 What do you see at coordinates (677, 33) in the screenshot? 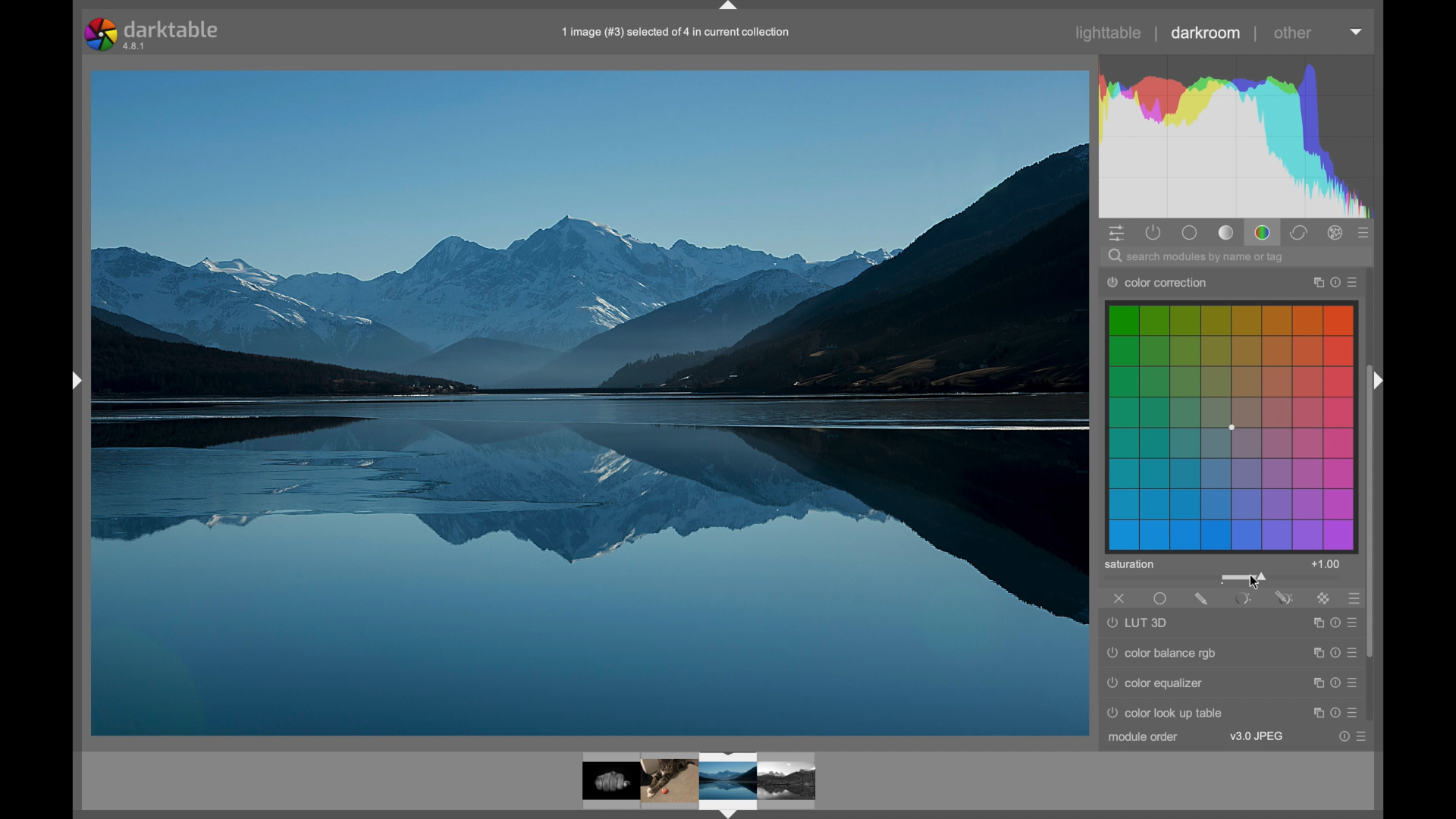
I see `1 image` at bounding box center [677, 33].